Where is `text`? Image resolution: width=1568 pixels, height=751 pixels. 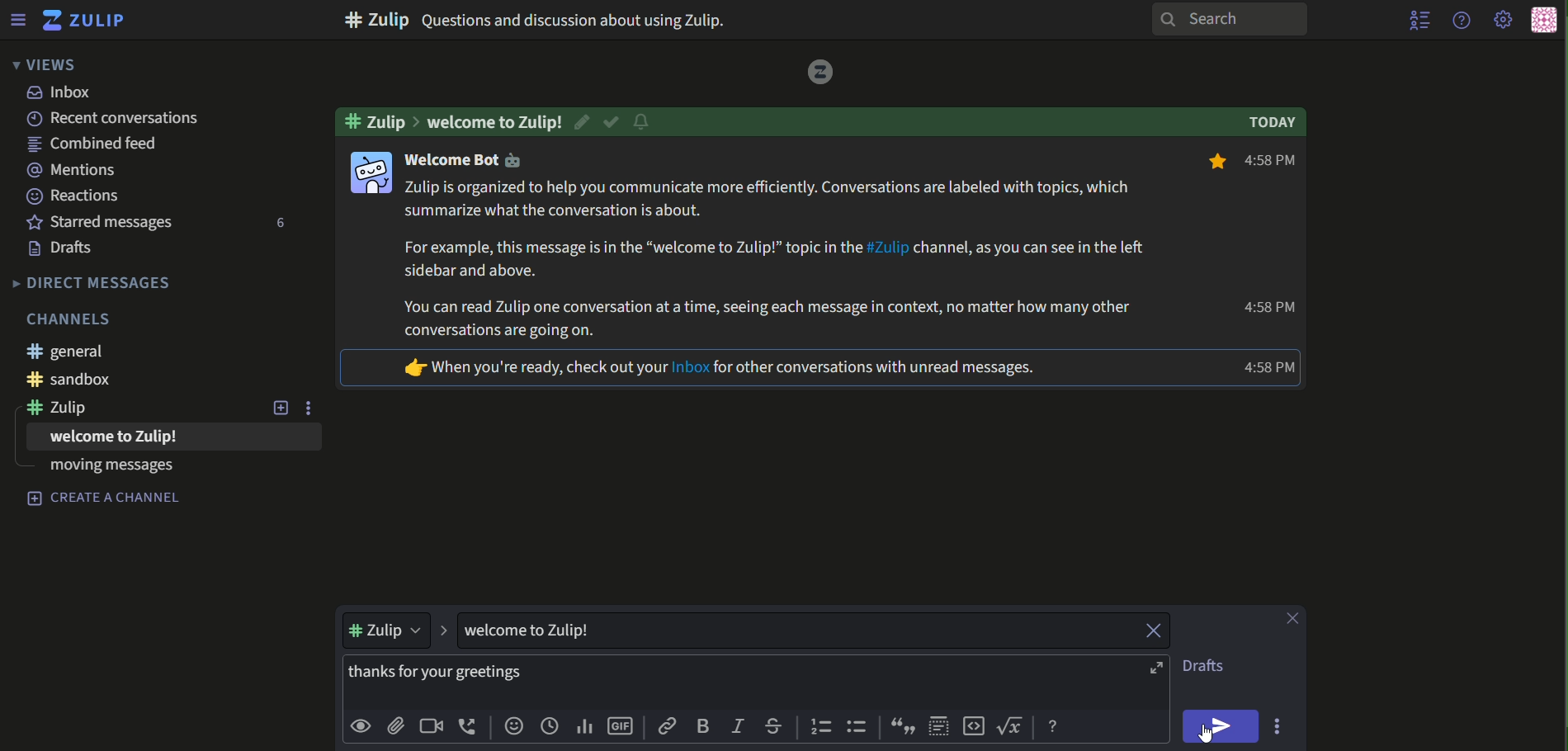 text is located at coordinates (1269, 309).